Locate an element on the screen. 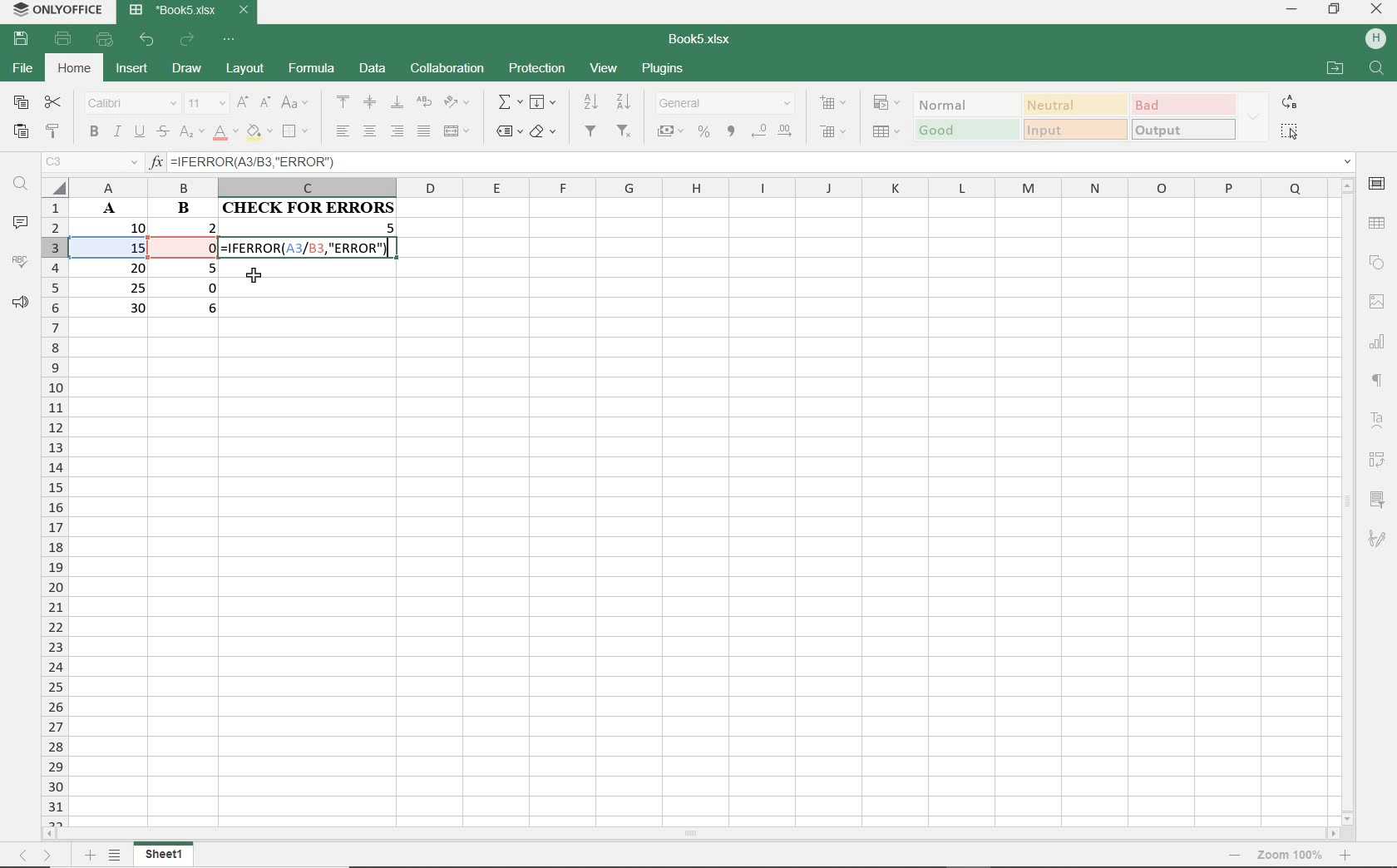 The image size is (1397, 868). EXPAND is located at coordinates (1254, 115).